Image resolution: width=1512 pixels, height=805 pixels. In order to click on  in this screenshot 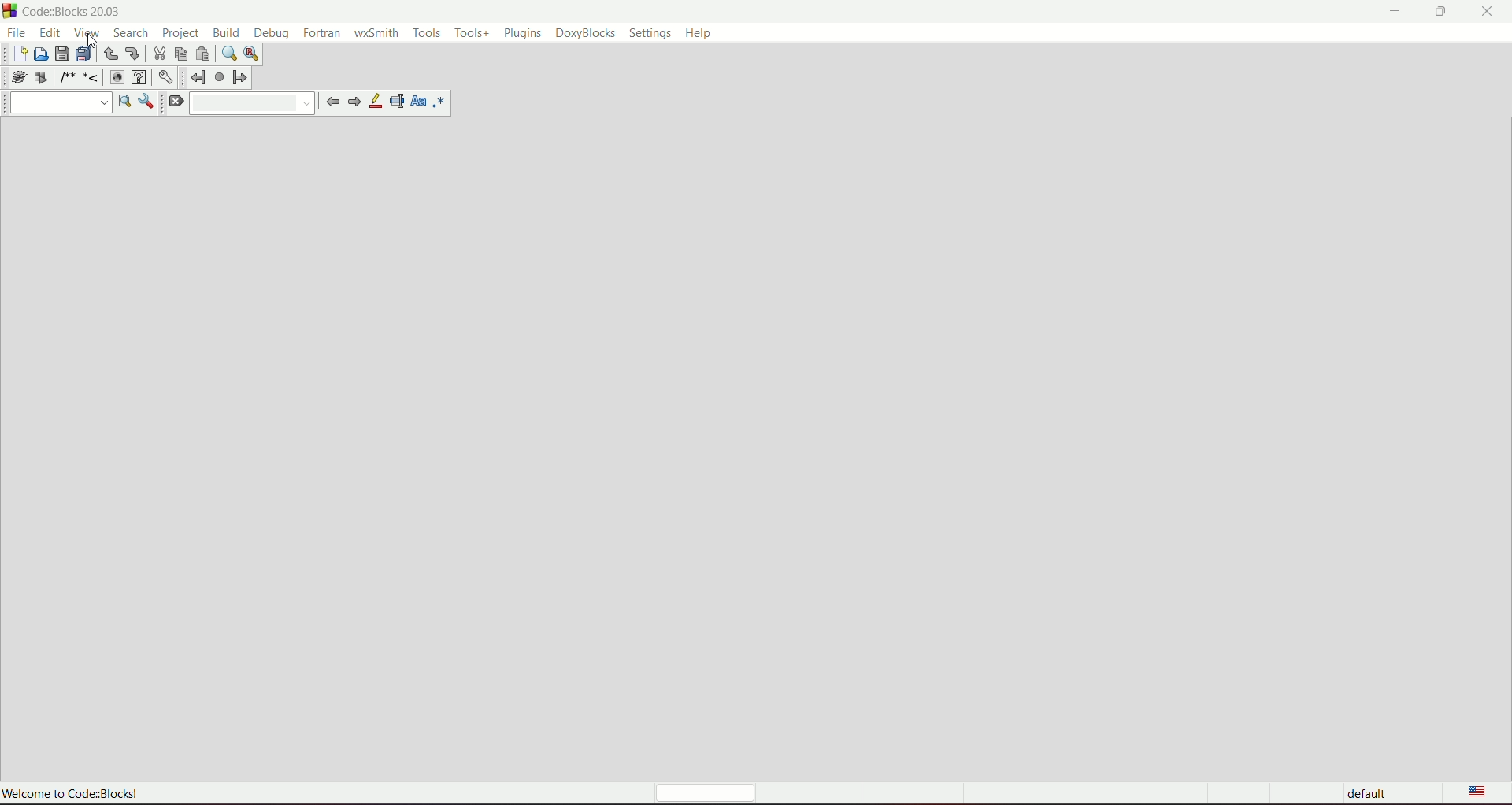, I will do `click(139, 76)`.